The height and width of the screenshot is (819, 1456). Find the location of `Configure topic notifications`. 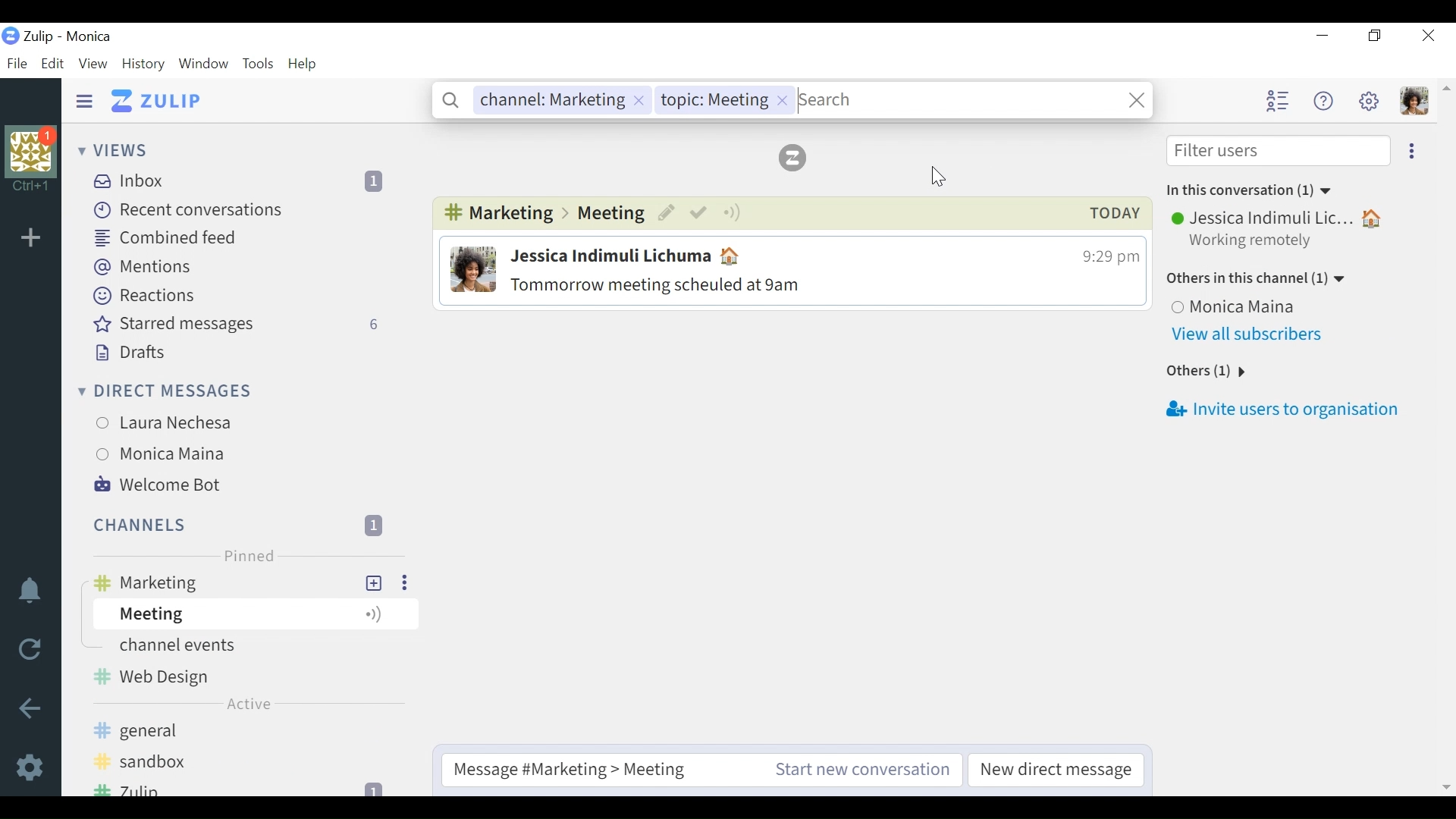

Configure topic notifications is located at coordinates (380, 613).